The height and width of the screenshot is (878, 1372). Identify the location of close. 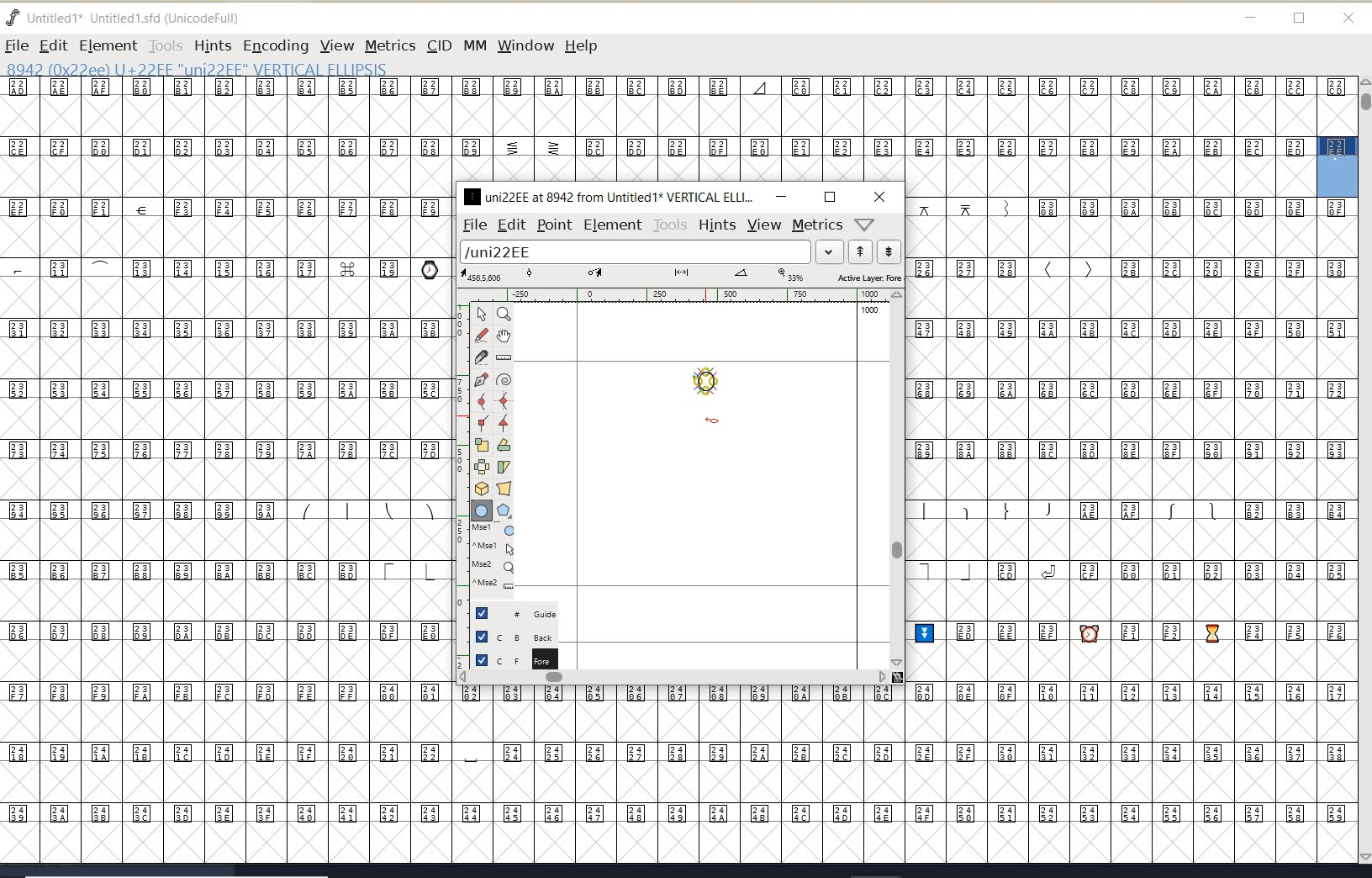
(1348, 19).